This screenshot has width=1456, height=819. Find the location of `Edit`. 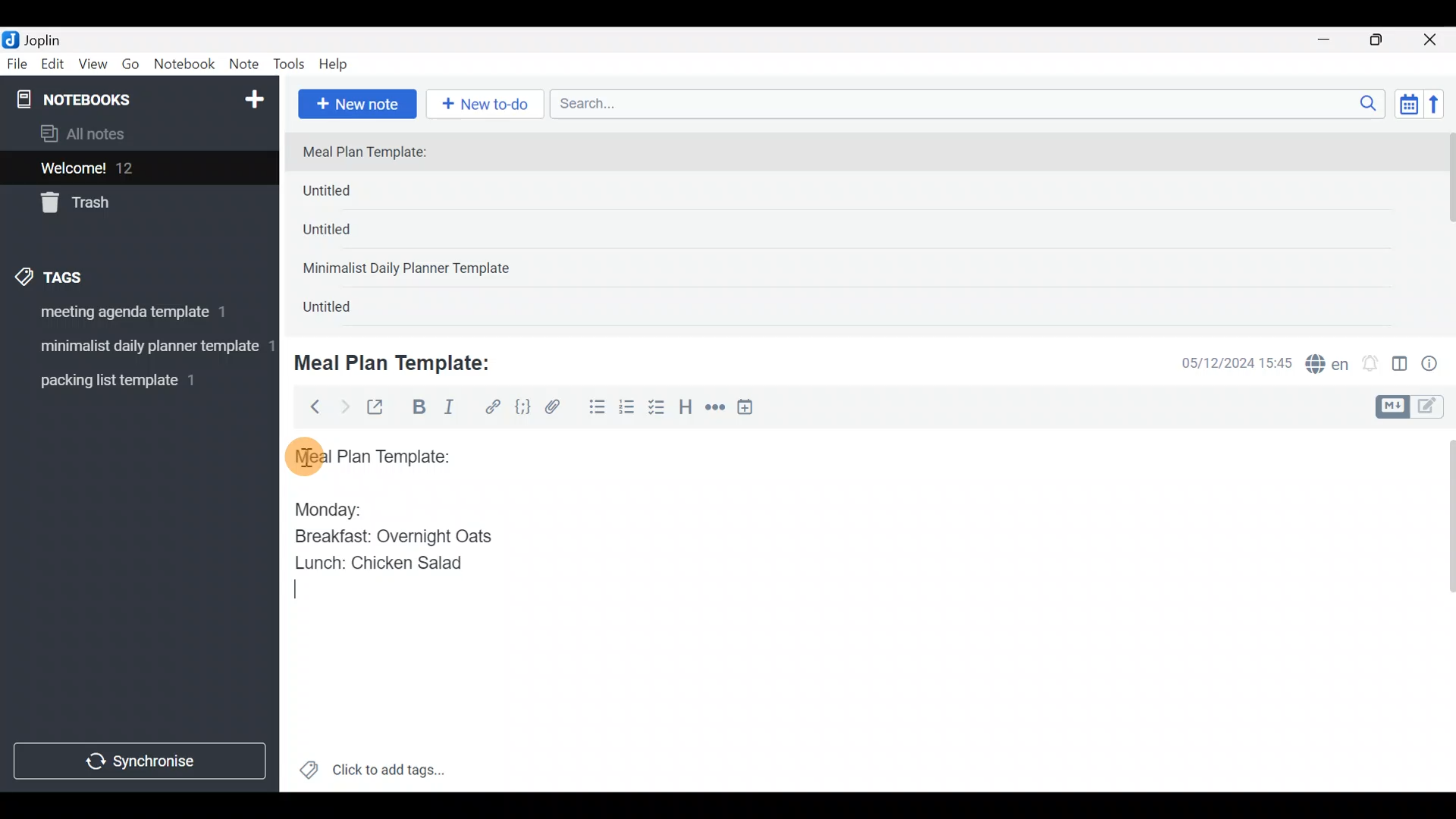

Edit is located at coordinates (53, 67).